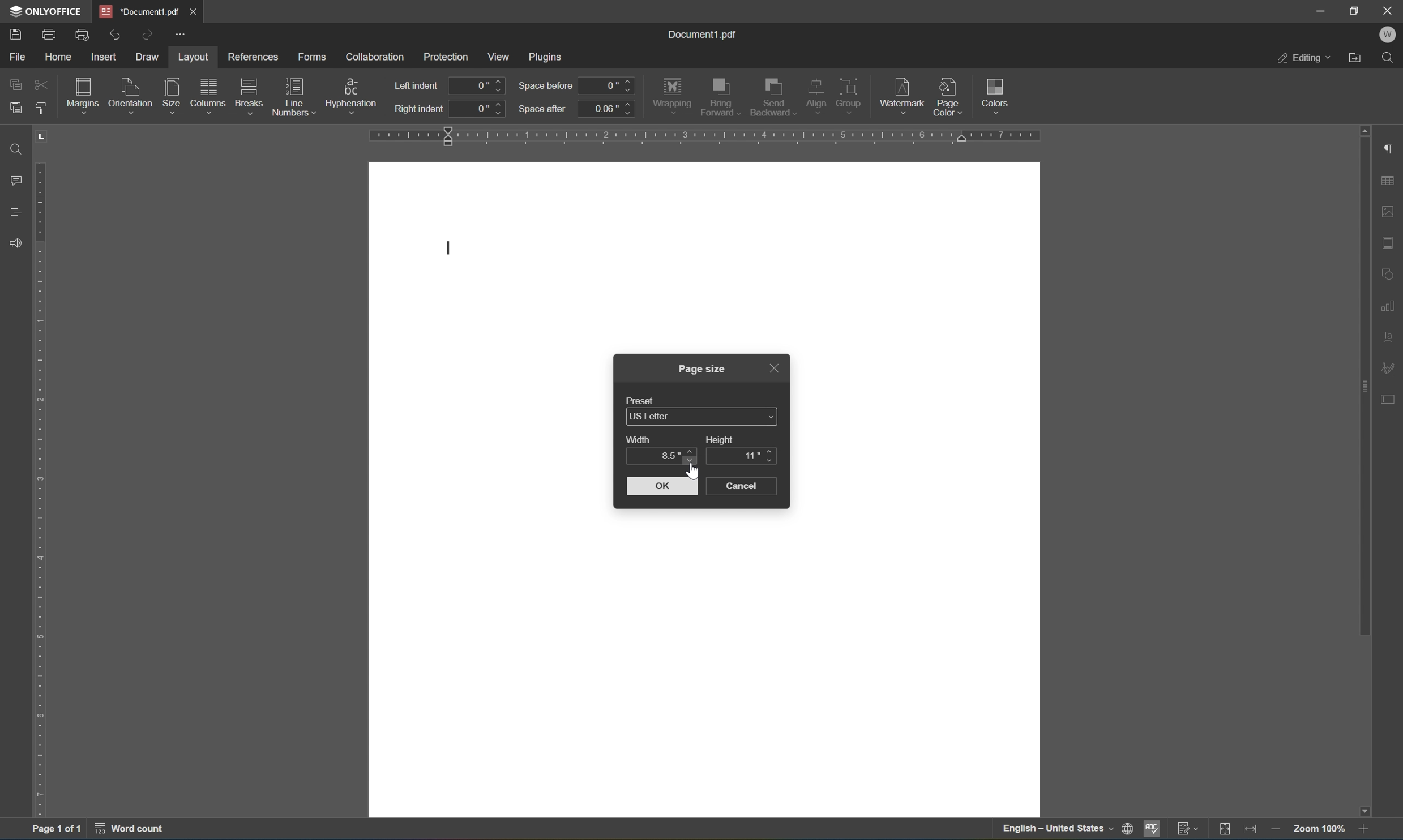 This screenshot has height=840, width=1403. I want to click on space after, so click(543, 108).